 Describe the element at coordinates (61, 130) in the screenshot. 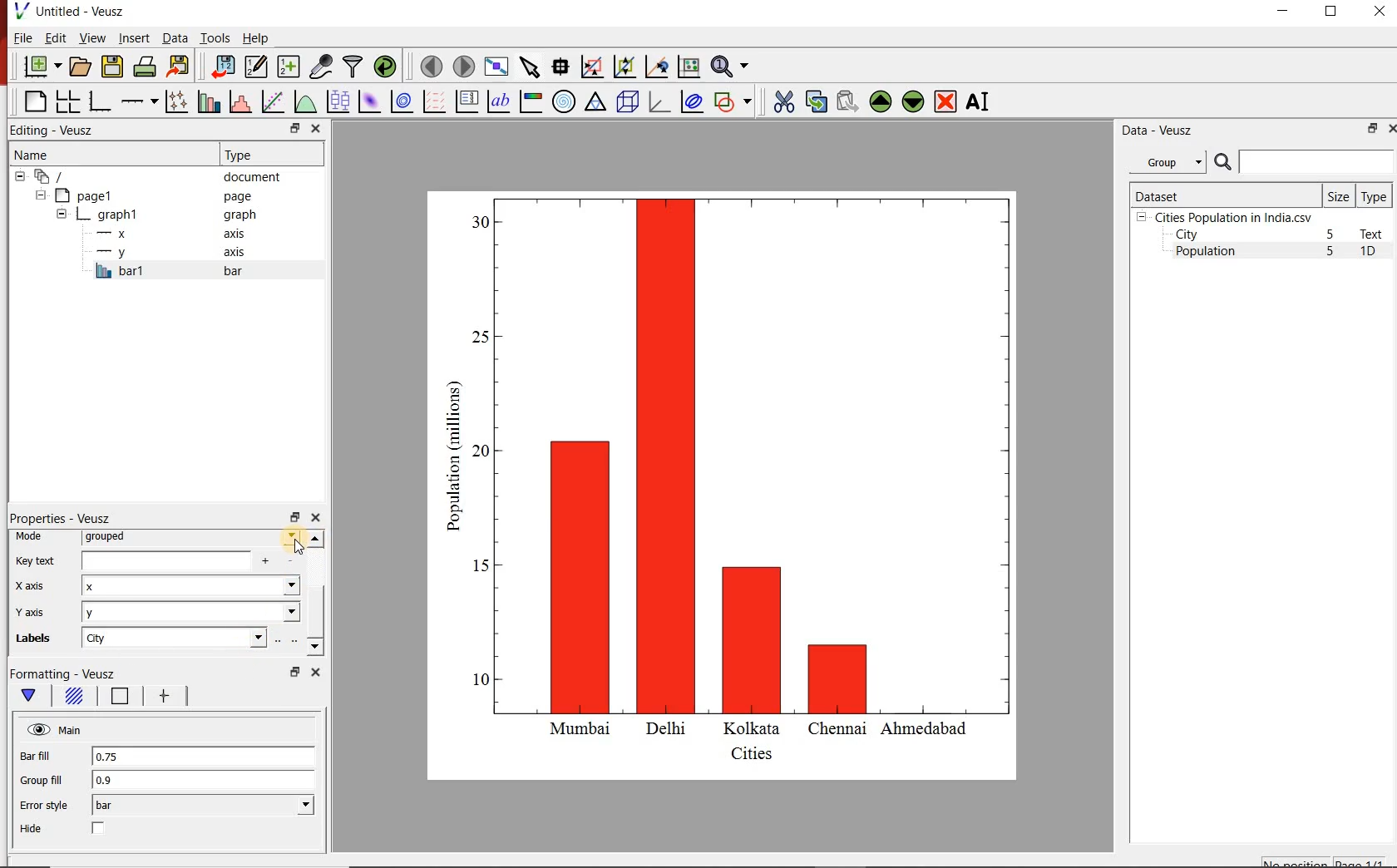

I see `Editing - Veusz` at that location.